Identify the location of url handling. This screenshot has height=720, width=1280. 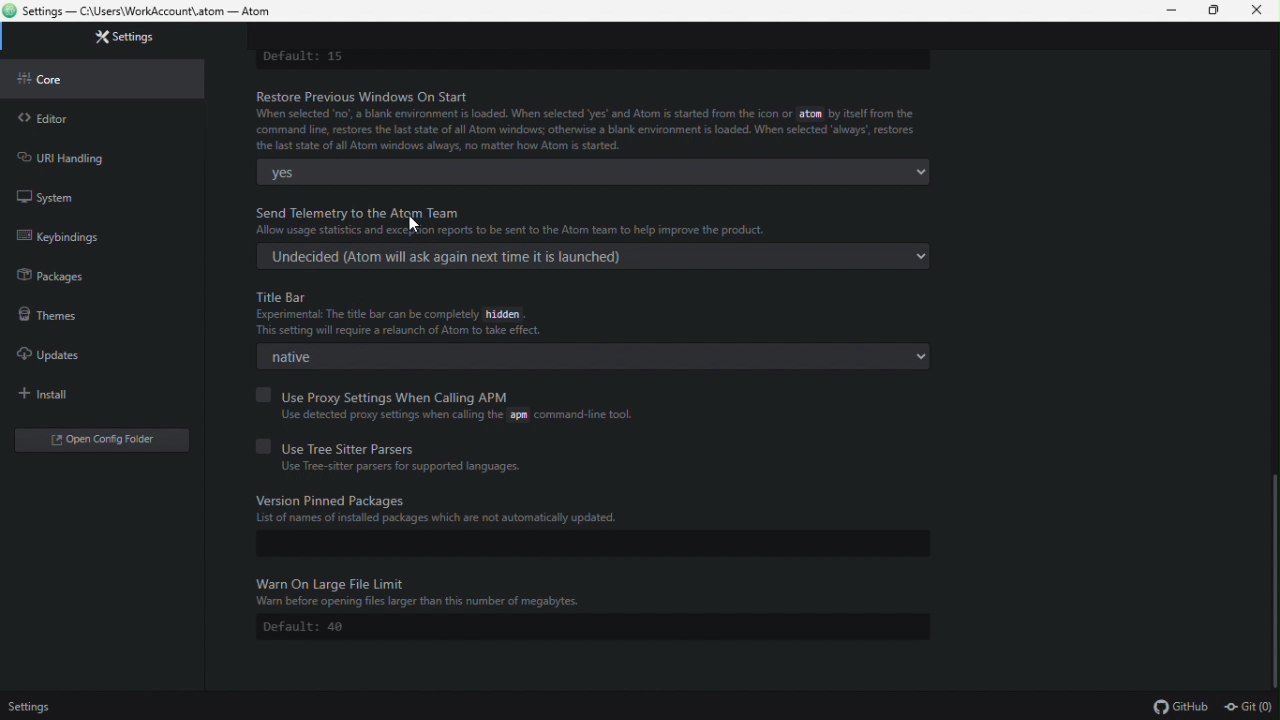
(66, 155).